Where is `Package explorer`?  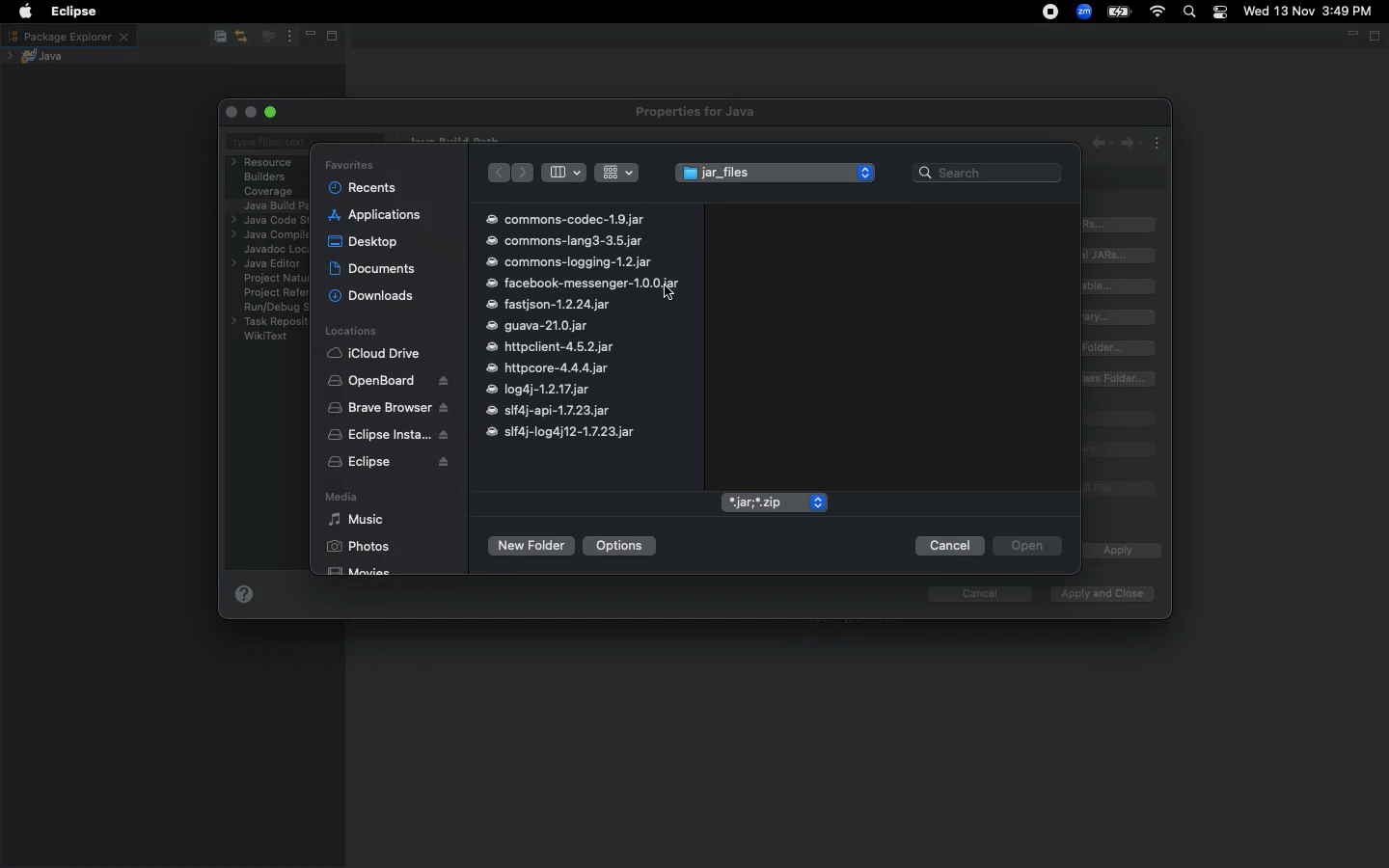
Package explorer is located at coordinates (68, 36).